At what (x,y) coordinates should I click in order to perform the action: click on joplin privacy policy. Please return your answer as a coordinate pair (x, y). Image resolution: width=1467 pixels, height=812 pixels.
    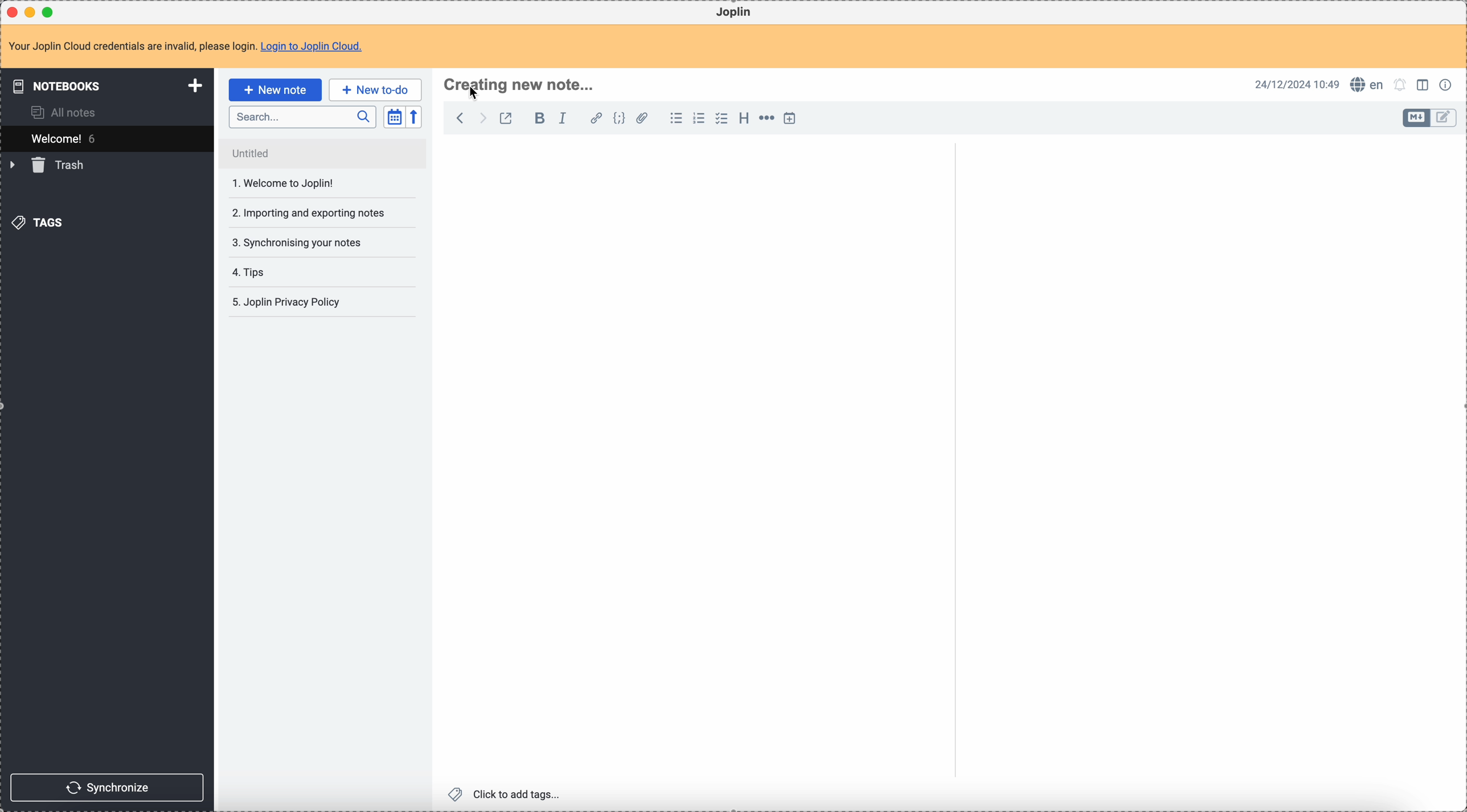
    Looking at the image, I should click on (290, 304).